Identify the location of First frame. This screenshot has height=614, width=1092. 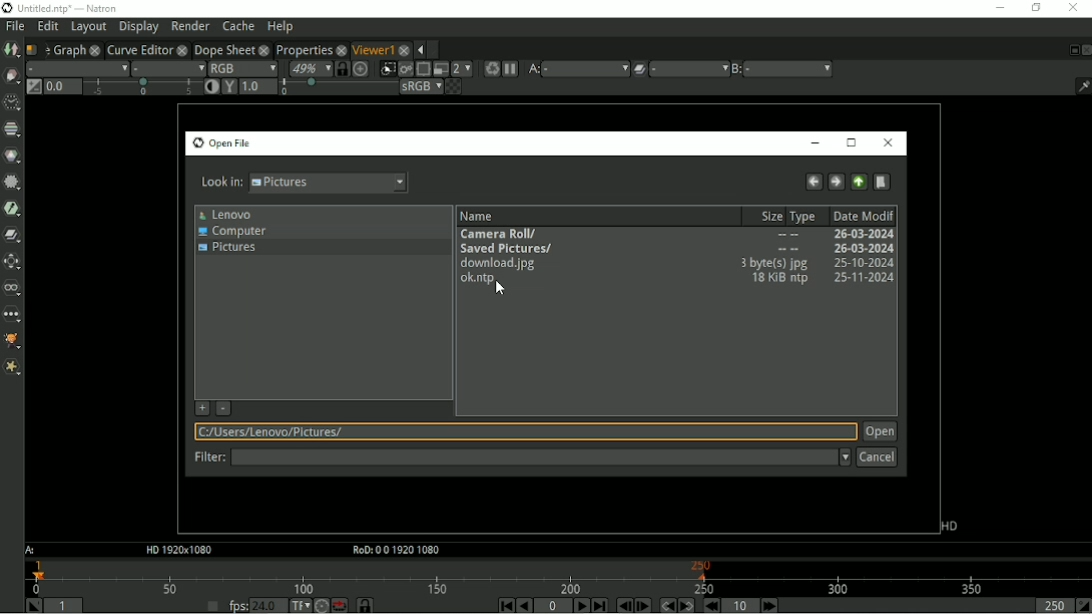
(503, 605).